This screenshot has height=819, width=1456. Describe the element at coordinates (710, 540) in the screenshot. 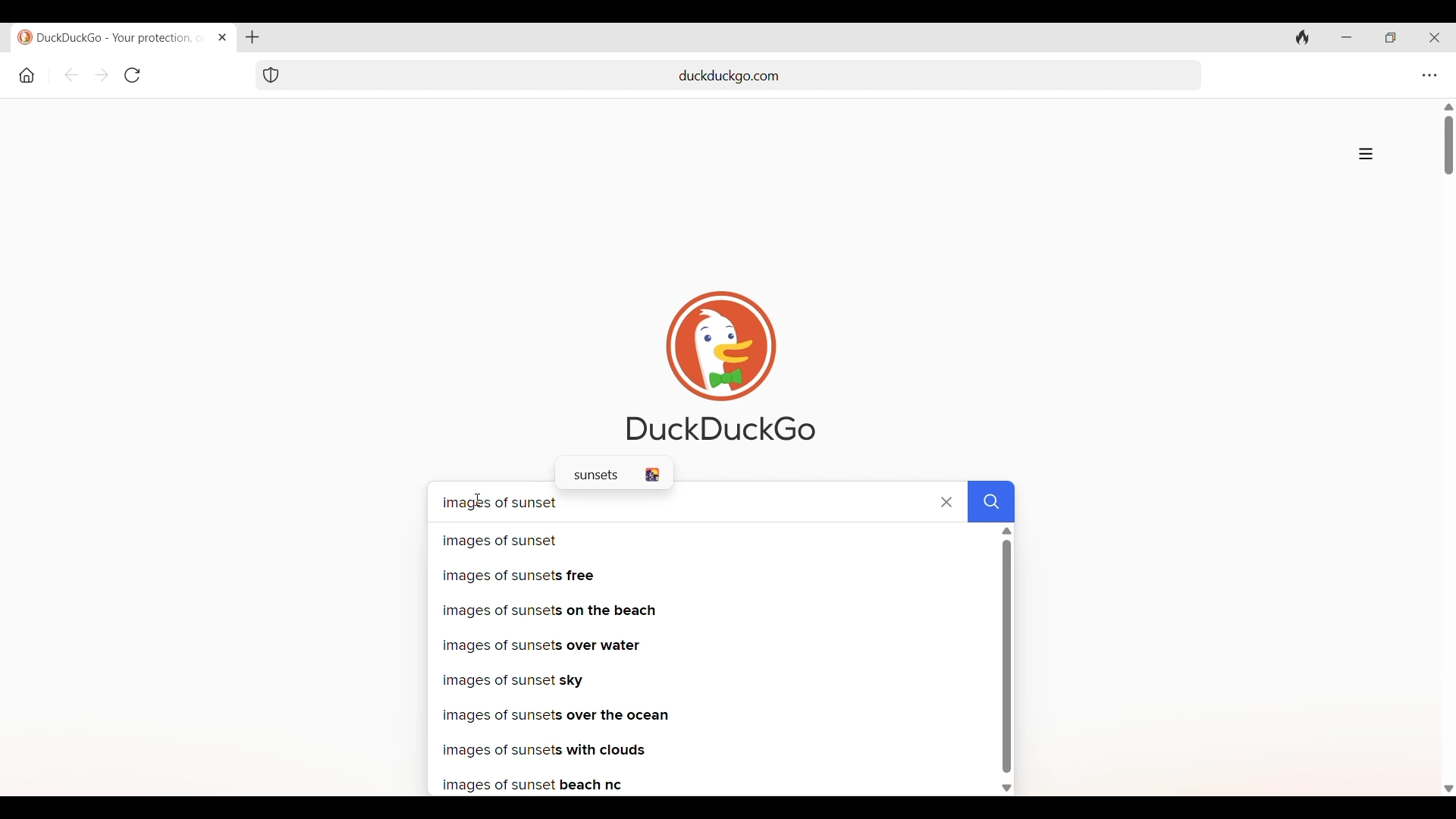

I see `Images of sunset` at that location.